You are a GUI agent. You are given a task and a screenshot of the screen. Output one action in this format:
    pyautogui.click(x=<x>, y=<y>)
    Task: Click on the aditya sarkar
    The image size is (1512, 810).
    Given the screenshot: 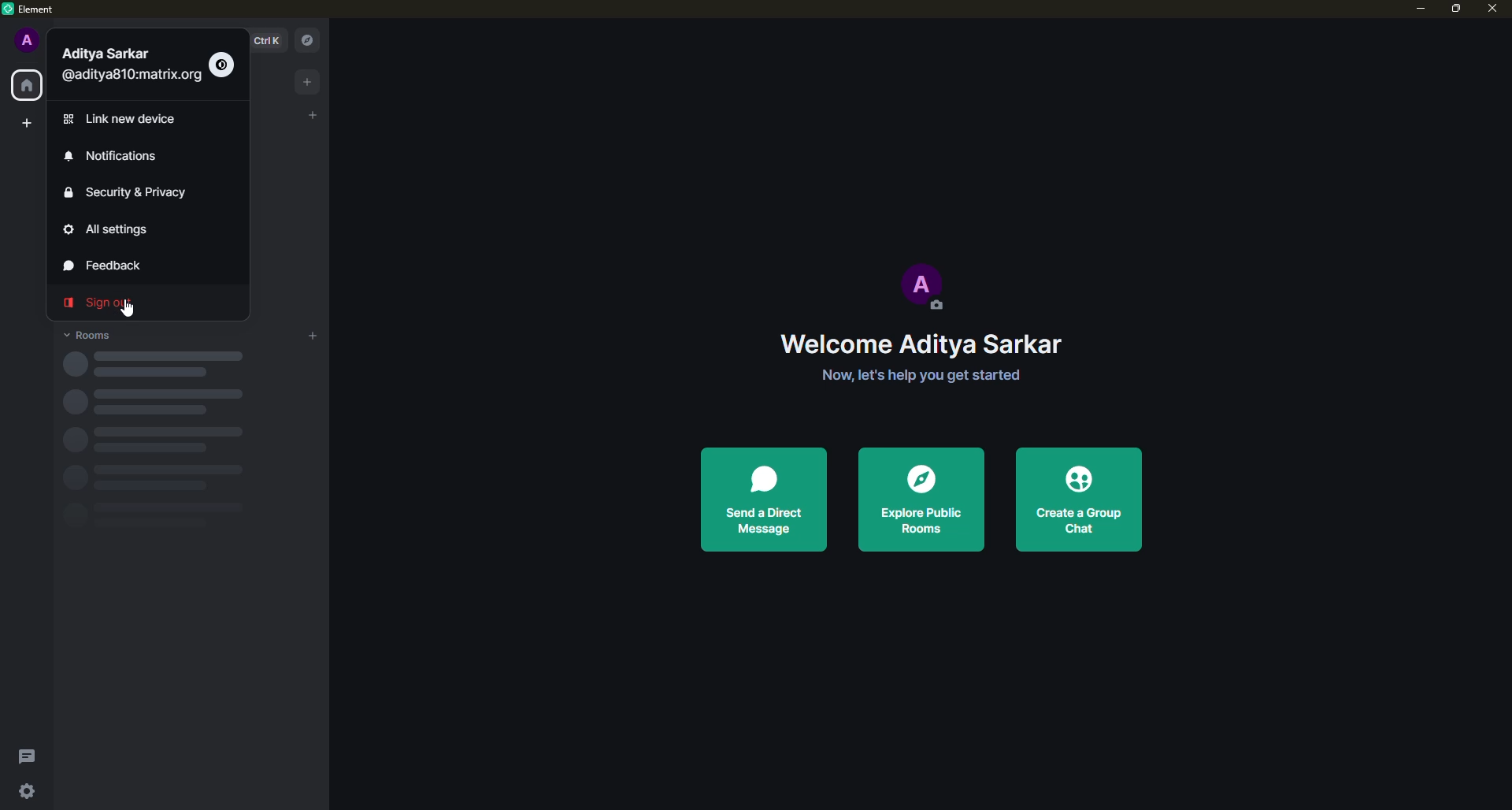 What is the action you would take?
    pyautogui.click(x=133, y=70)
    